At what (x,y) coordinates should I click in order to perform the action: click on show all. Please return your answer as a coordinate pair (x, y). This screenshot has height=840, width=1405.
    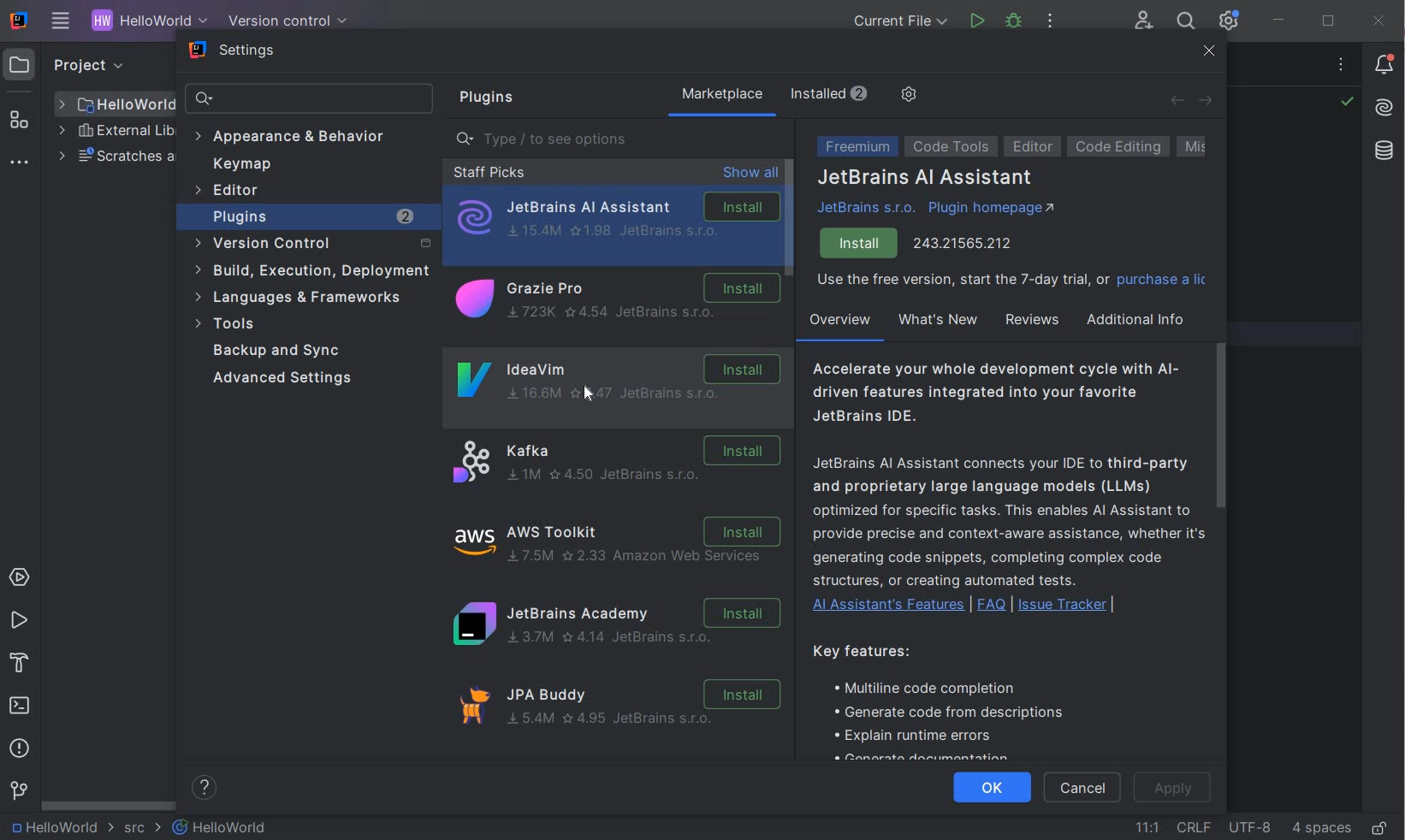
    Looking at the image, I should click on (750, 174).